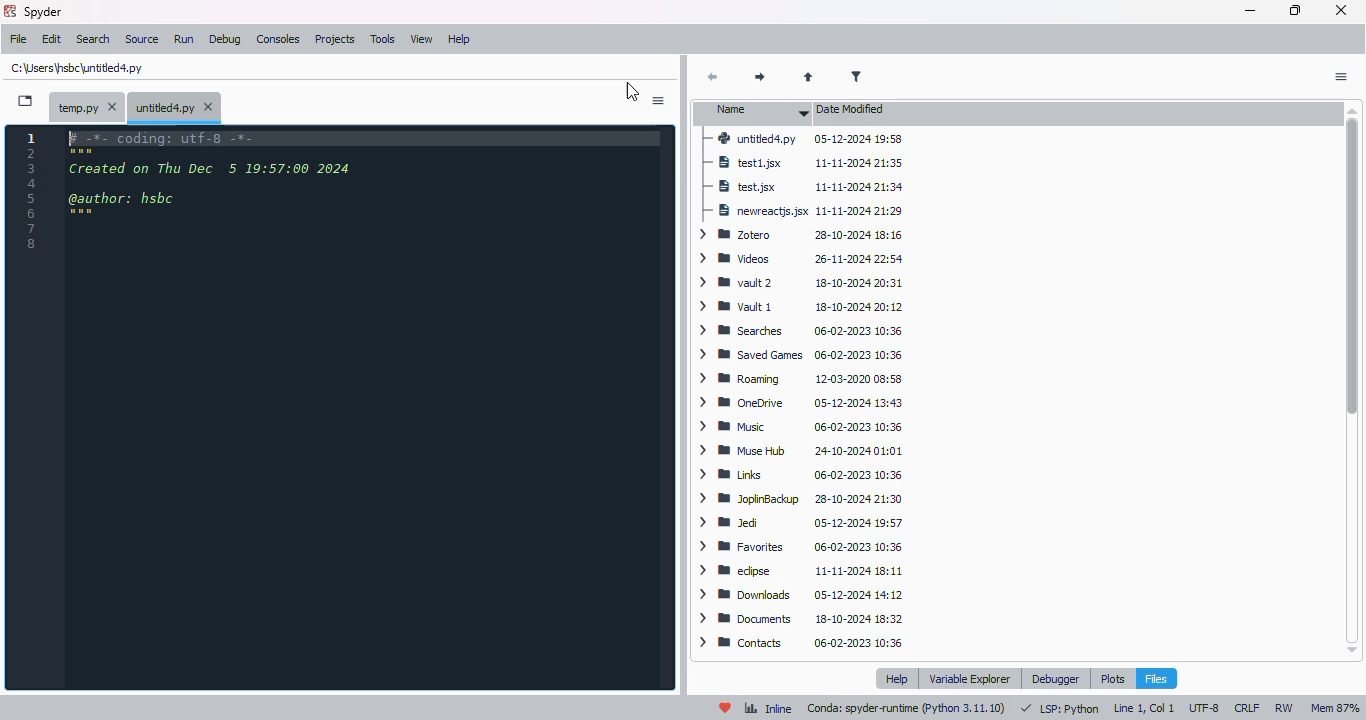 This screenshot has height=720, width=1366. I want to click on line 1, col 1, so click(1144, 708).